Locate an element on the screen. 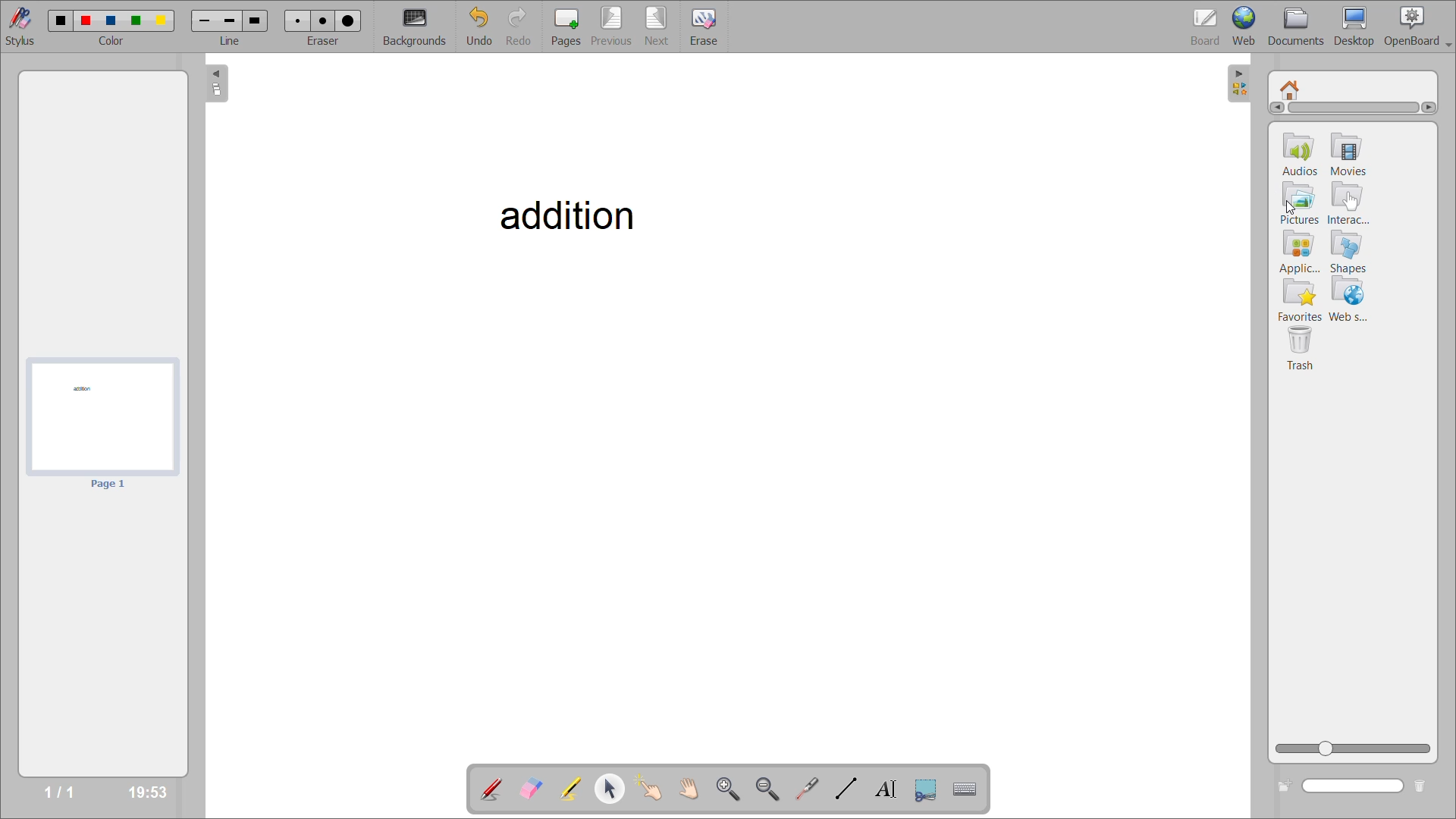 The width and height of the screenshot is (1456, 819). page 1 preview is located at coordinates (101, 416).